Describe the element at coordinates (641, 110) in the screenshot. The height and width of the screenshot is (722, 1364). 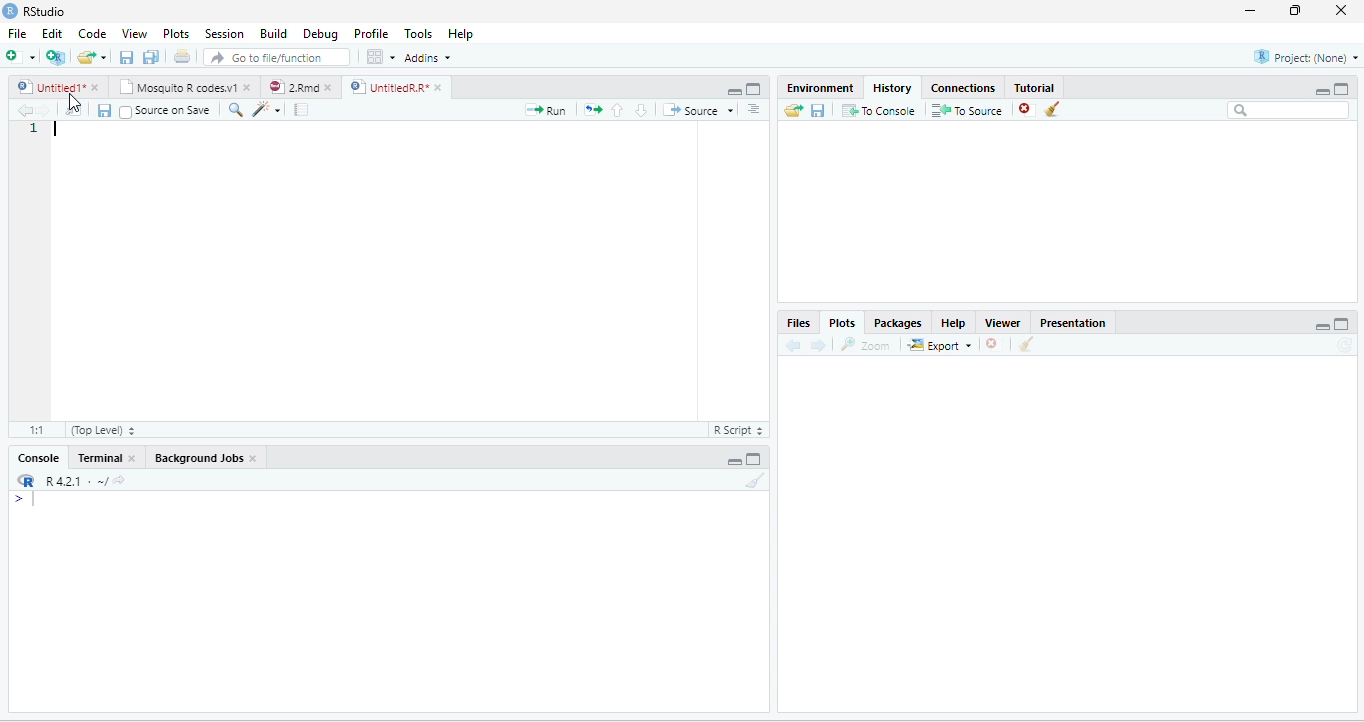
I see `Go to next section/chunk` at that location.